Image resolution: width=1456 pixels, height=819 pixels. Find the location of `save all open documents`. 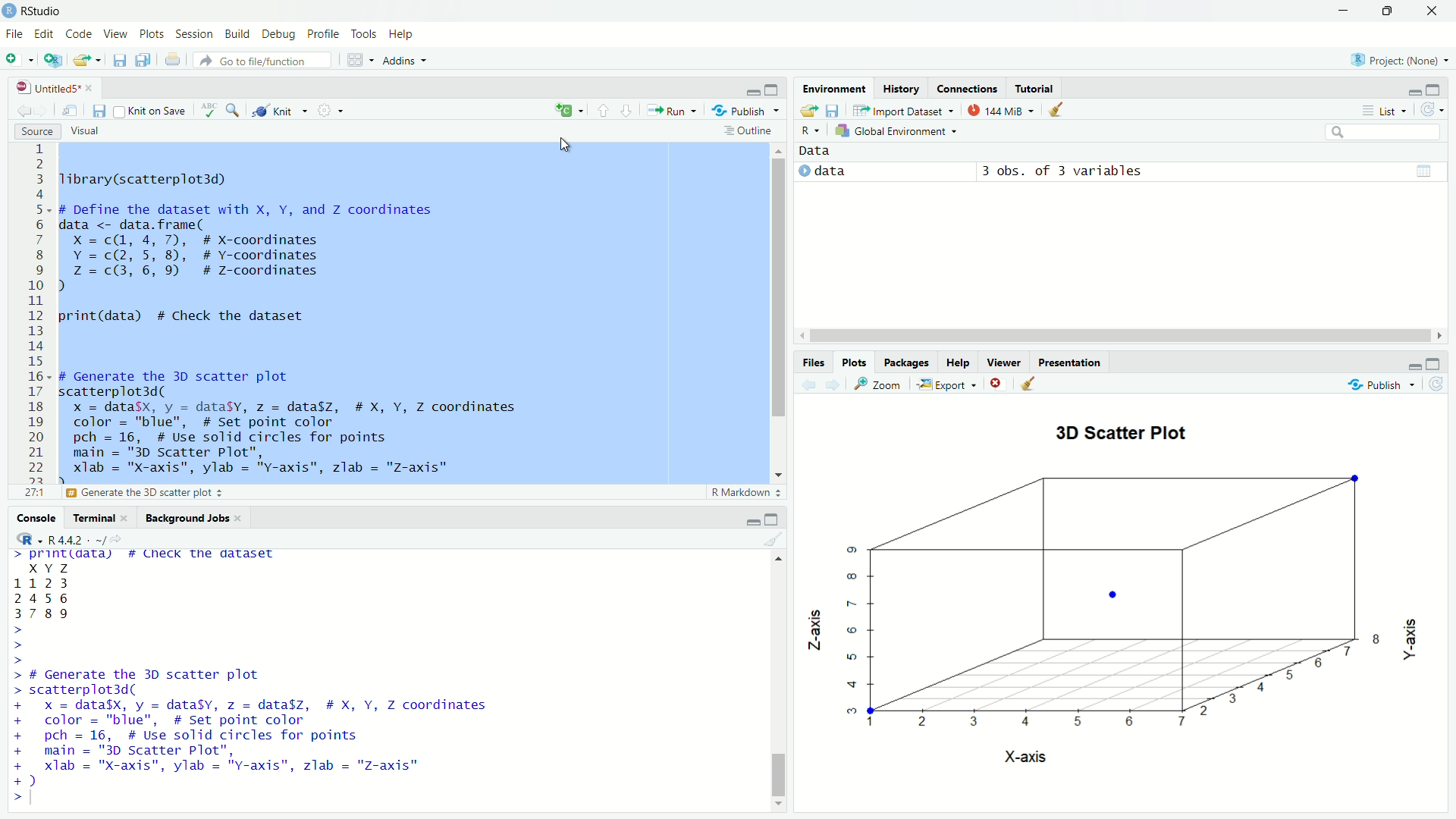

save all open documents is located at coordinates (143, 63).